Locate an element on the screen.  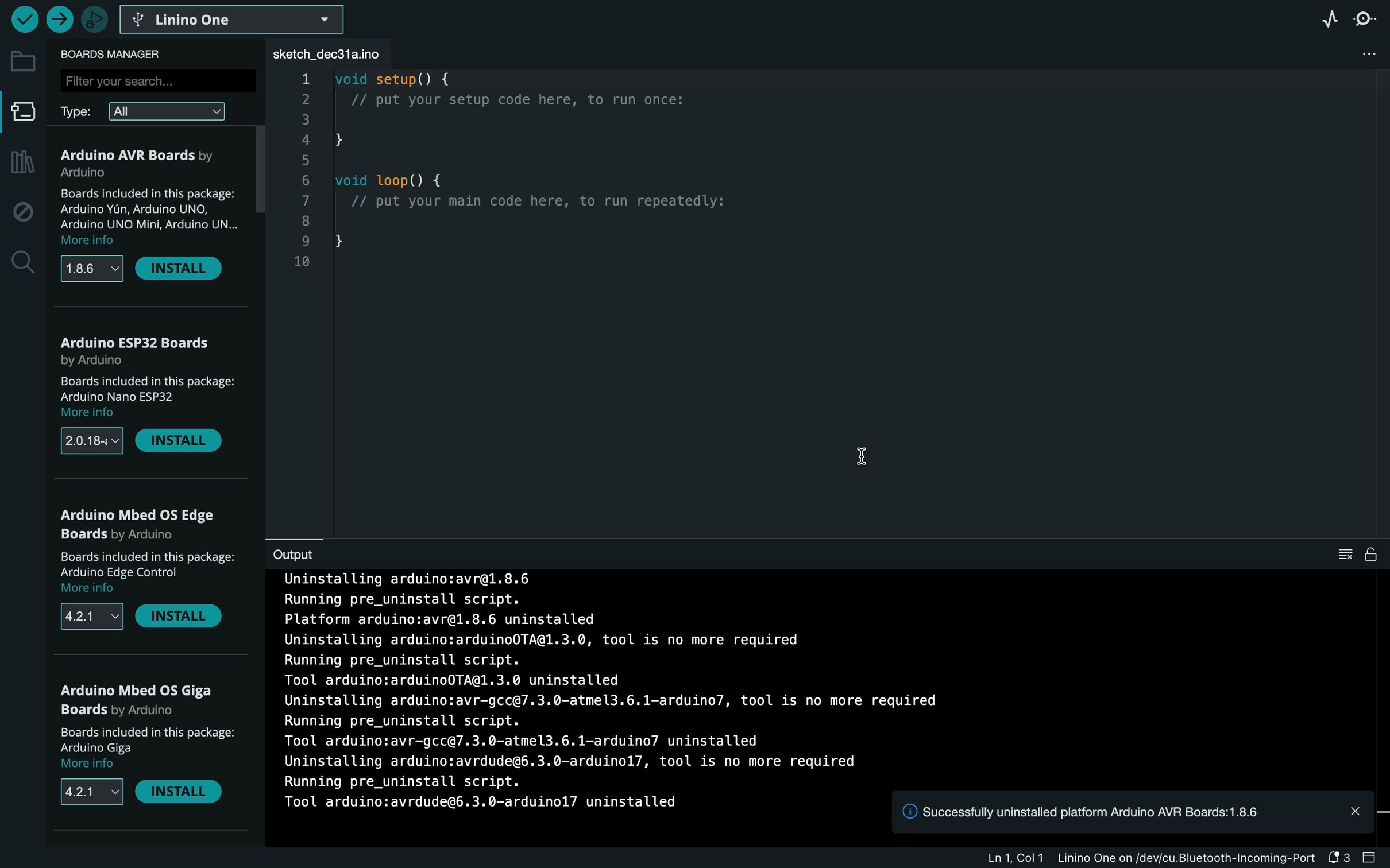
code is located at coordinates (542, 177).